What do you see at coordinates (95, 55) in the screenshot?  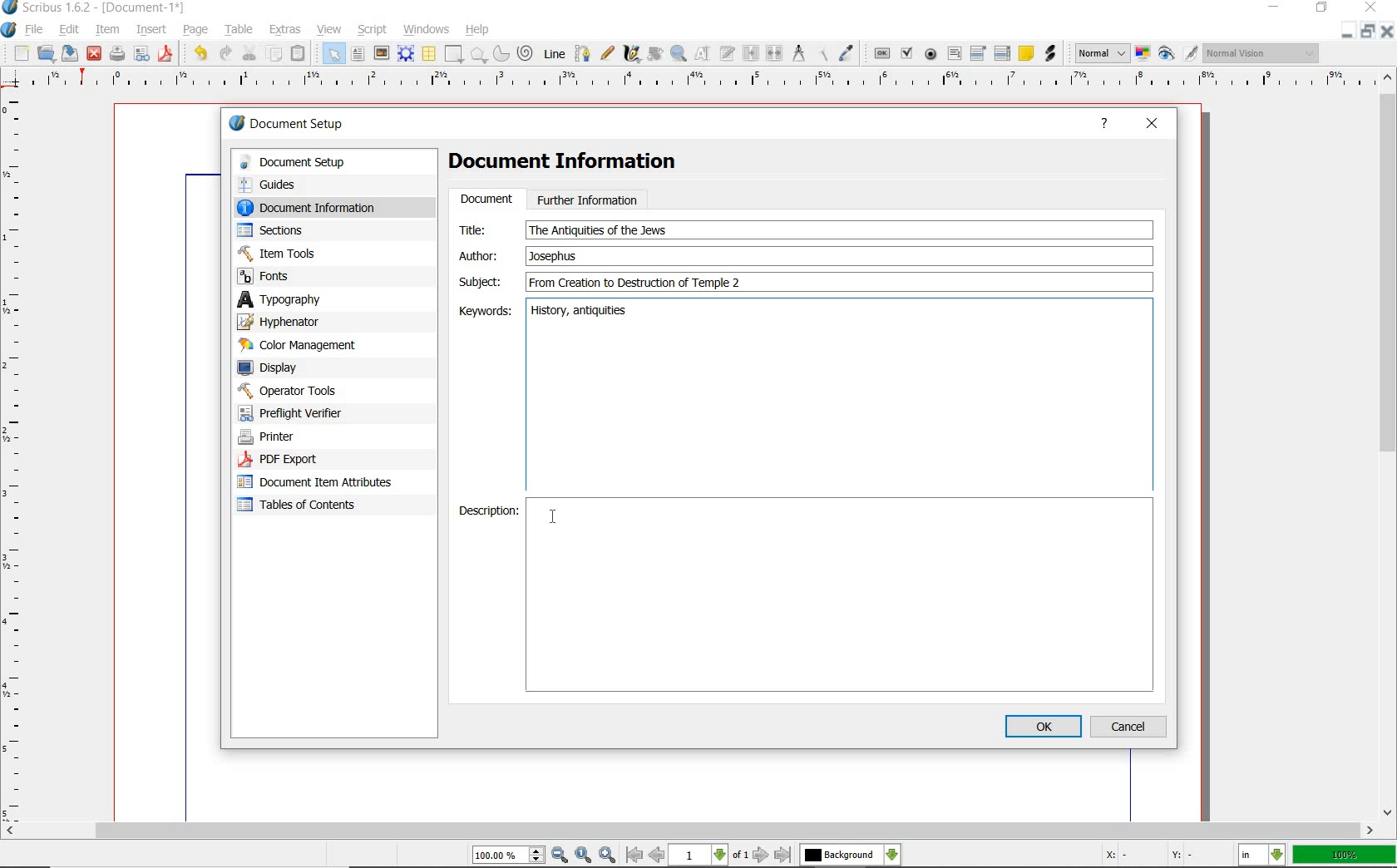 I see `close` at bounding box center [95, 55].